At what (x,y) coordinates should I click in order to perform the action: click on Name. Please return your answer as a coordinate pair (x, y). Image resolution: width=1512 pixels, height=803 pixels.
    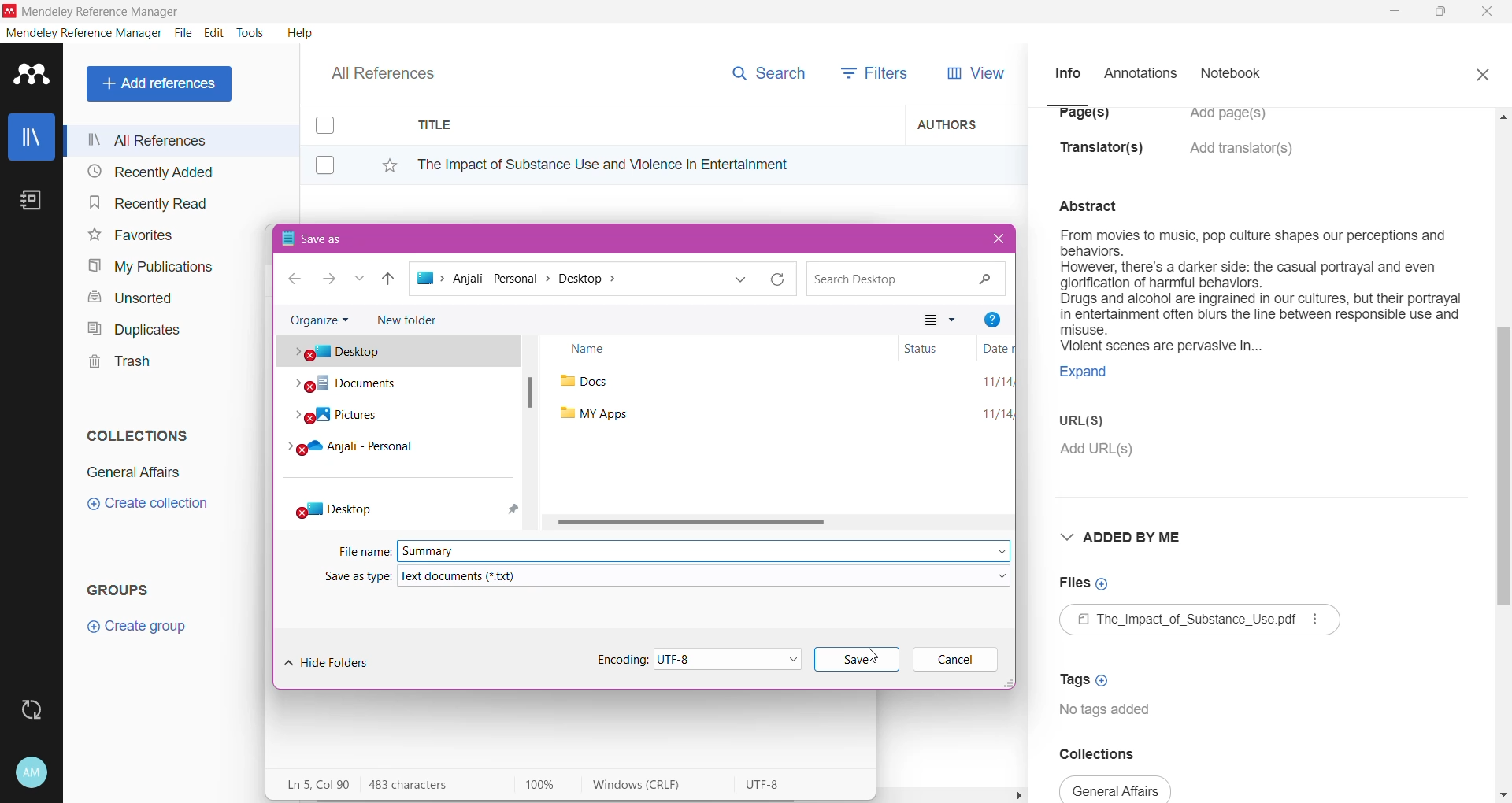
    Looking at the image, I should click on (718, 350).